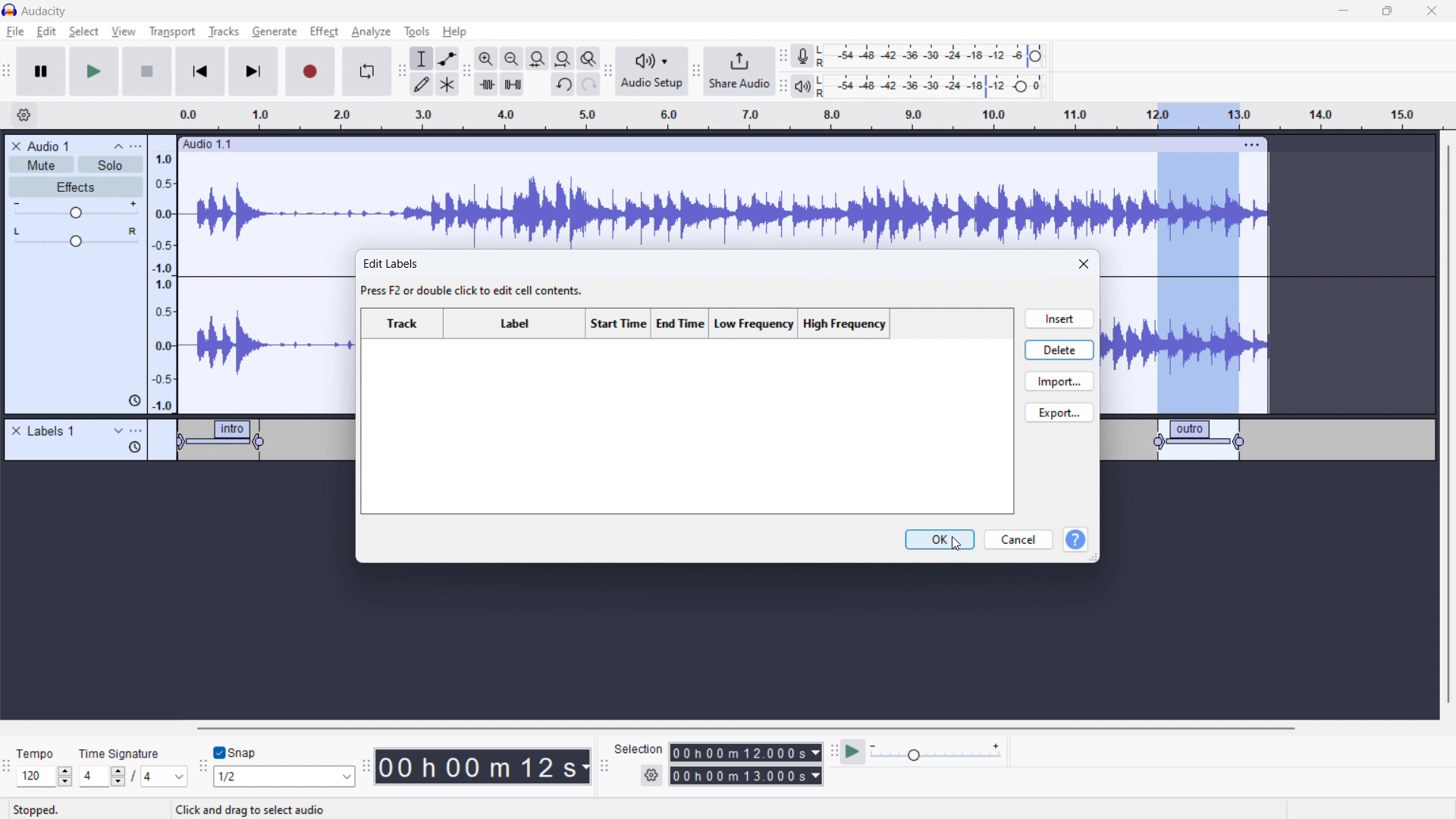 The height and width of the screenshot is (819, 1456). Describe the element at coordinates (823, 86) in the screenshot. I see `` at that location.